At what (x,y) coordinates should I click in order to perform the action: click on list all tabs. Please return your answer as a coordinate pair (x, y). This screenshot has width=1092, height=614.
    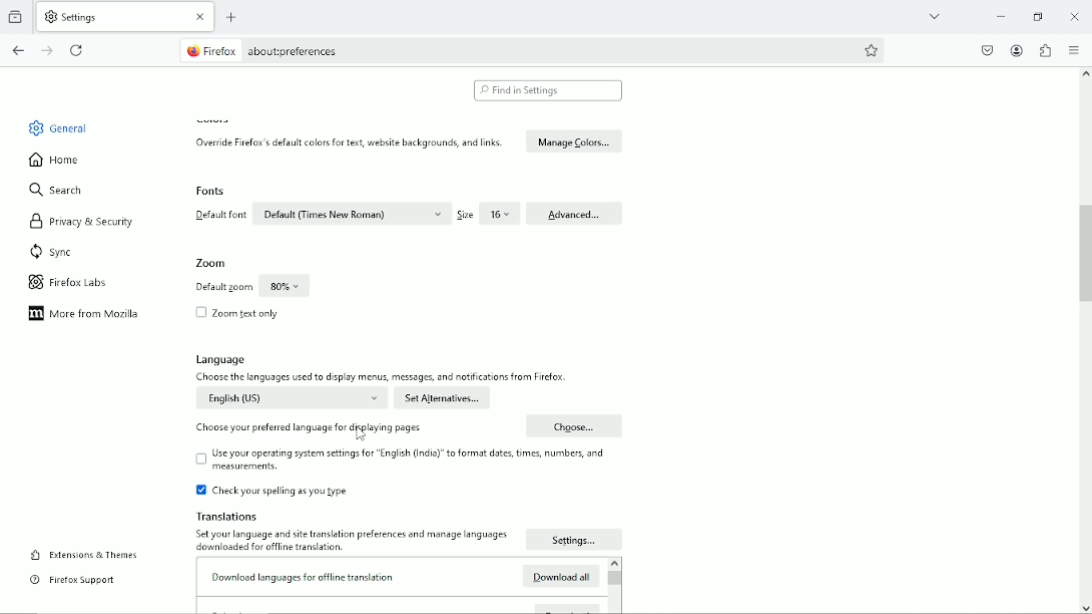
    Looking at the image, I should click on (936, 16).